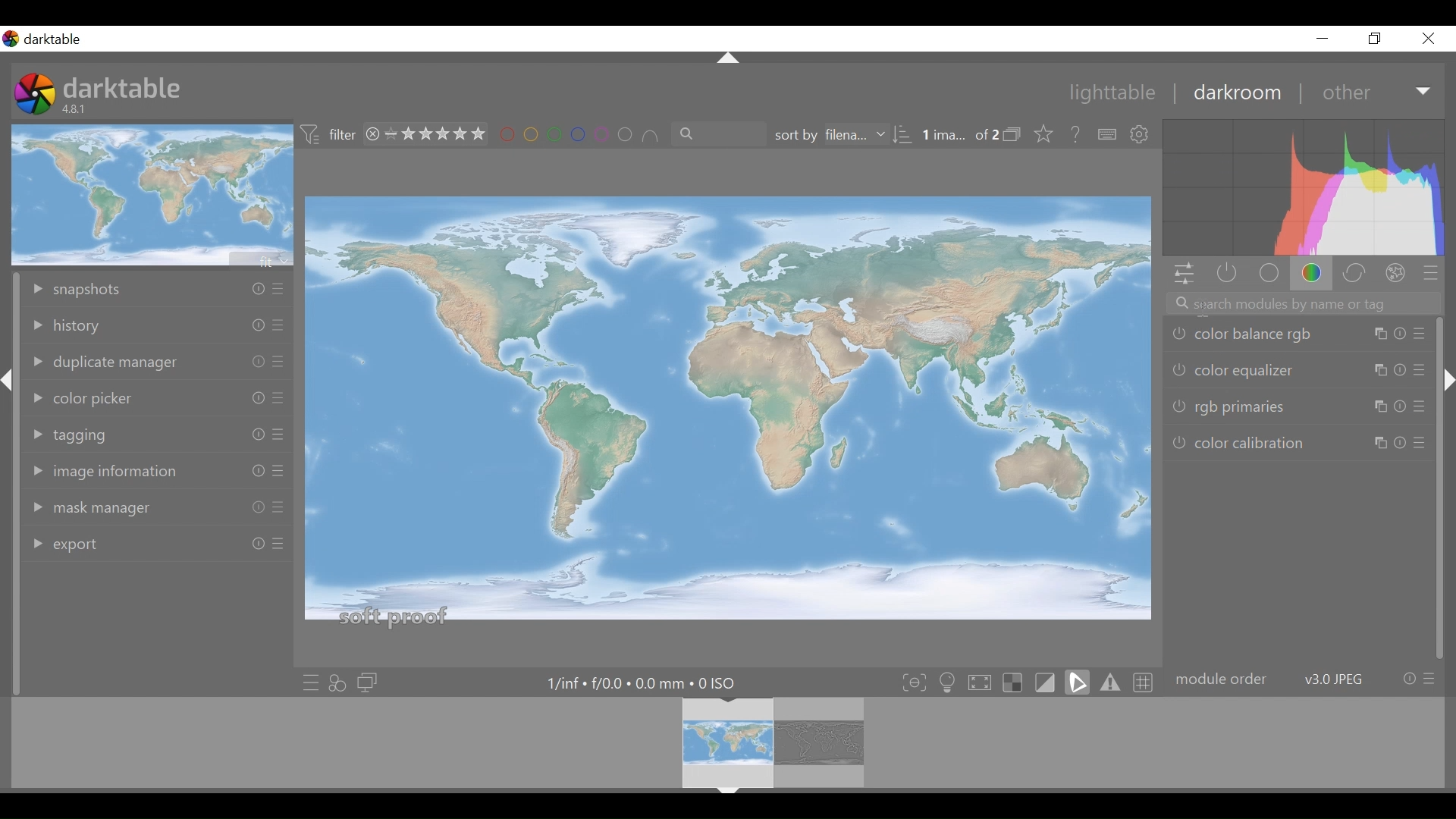 The image size is (1456, 819). I want to click on export, so click(155, 541).